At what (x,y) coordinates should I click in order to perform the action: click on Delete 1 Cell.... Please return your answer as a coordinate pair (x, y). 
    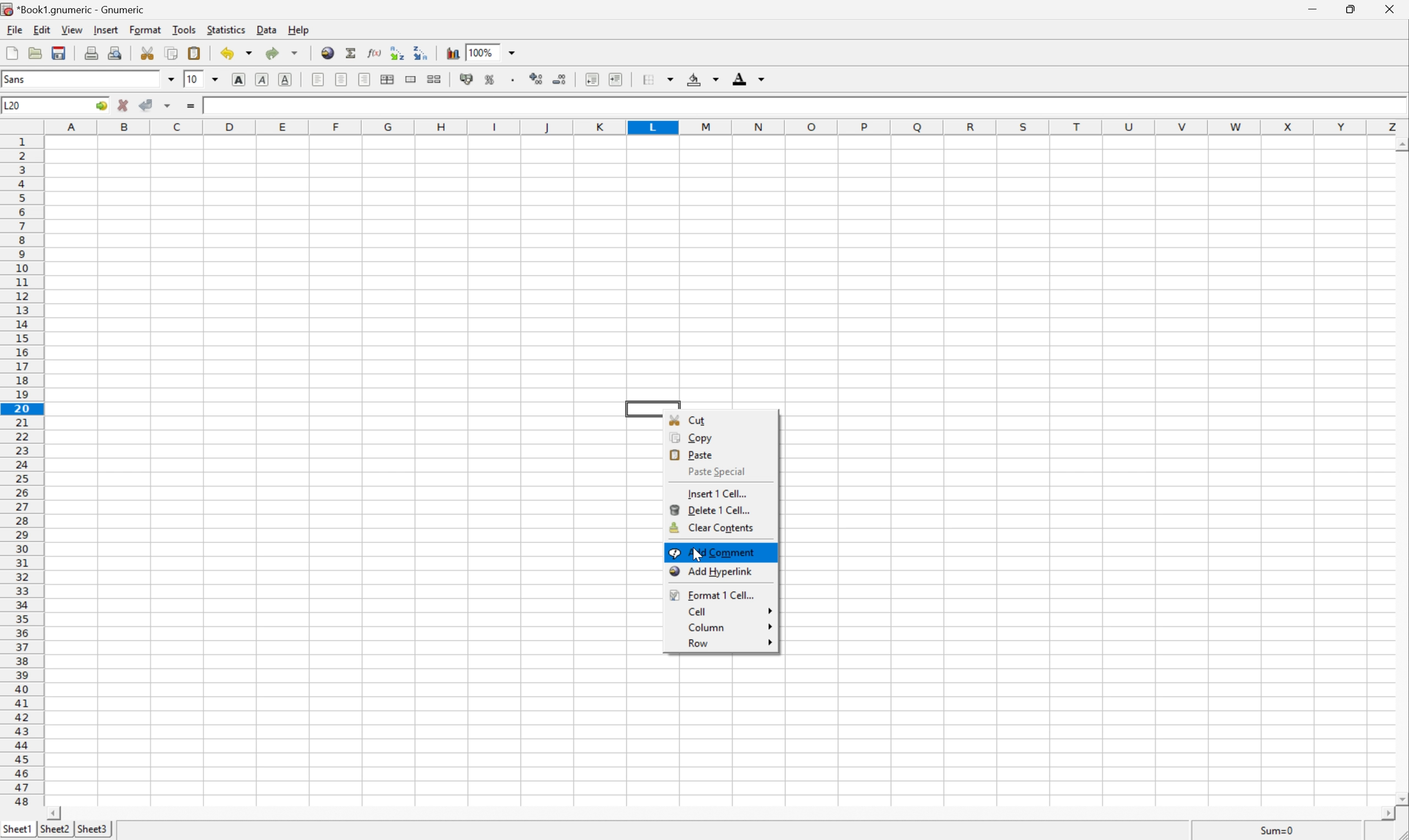
    Looking at the image, I should click on (712, 509).